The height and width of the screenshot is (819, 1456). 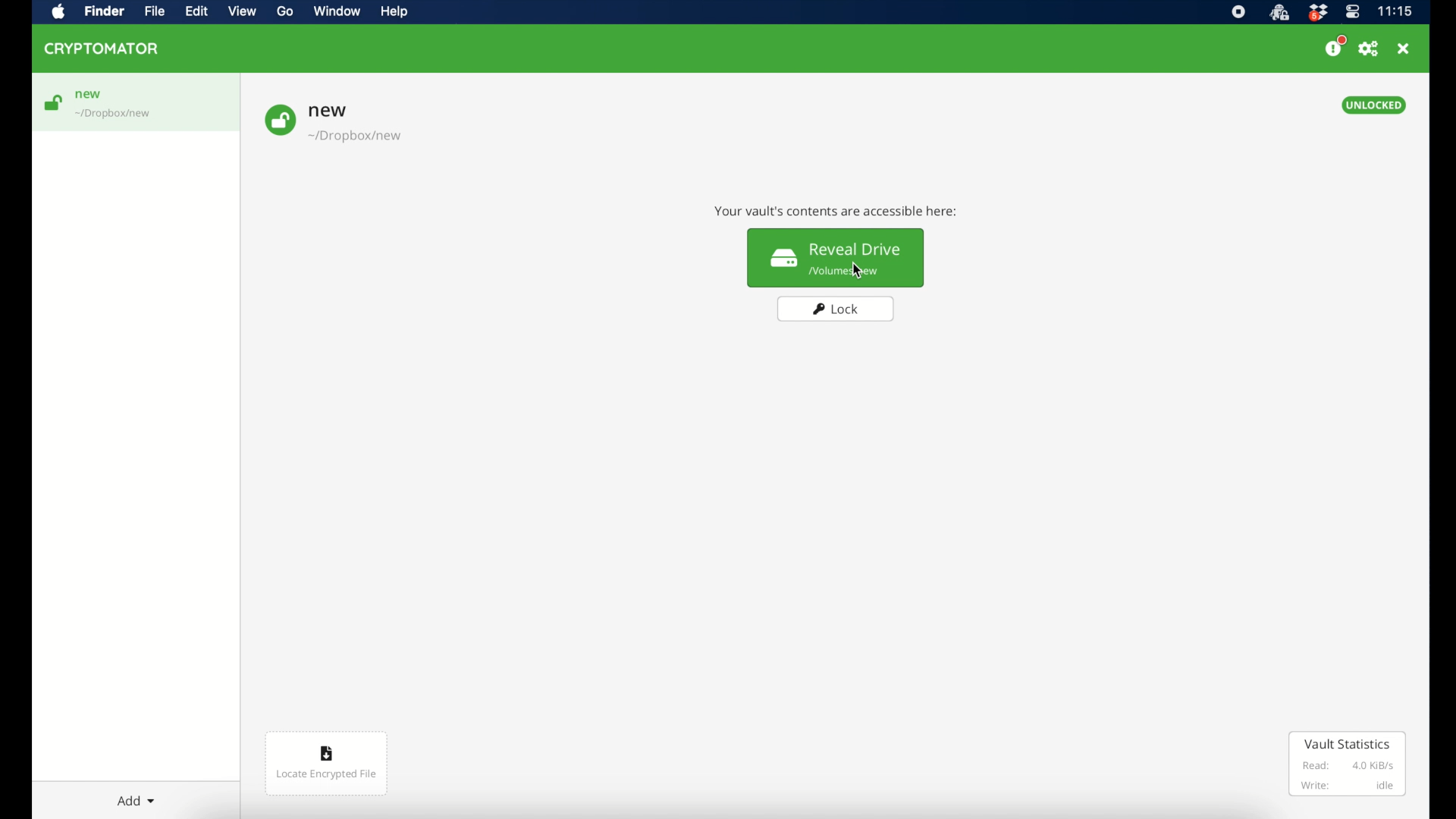 What do you see at coordinates (1369, 49) in the screenshot?
I see `preferences` at bounding box center [1369, 49].